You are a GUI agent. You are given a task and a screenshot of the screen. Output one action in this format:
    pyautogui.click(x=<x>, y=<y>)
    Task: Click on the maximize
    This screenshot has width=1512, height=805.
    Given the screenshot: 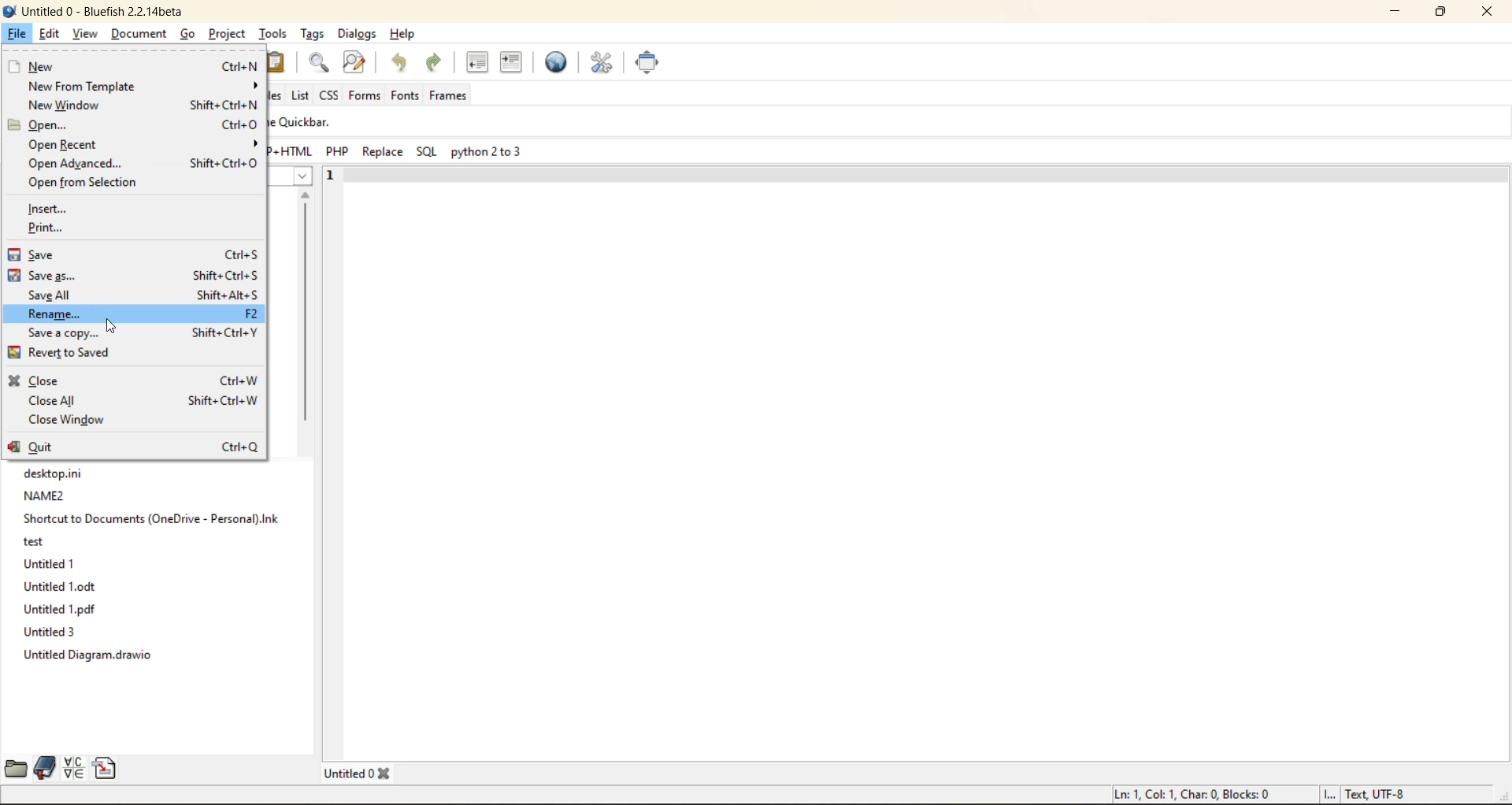 What is the action you would take?
    pyautogui.click(x=1445, y=13)
    